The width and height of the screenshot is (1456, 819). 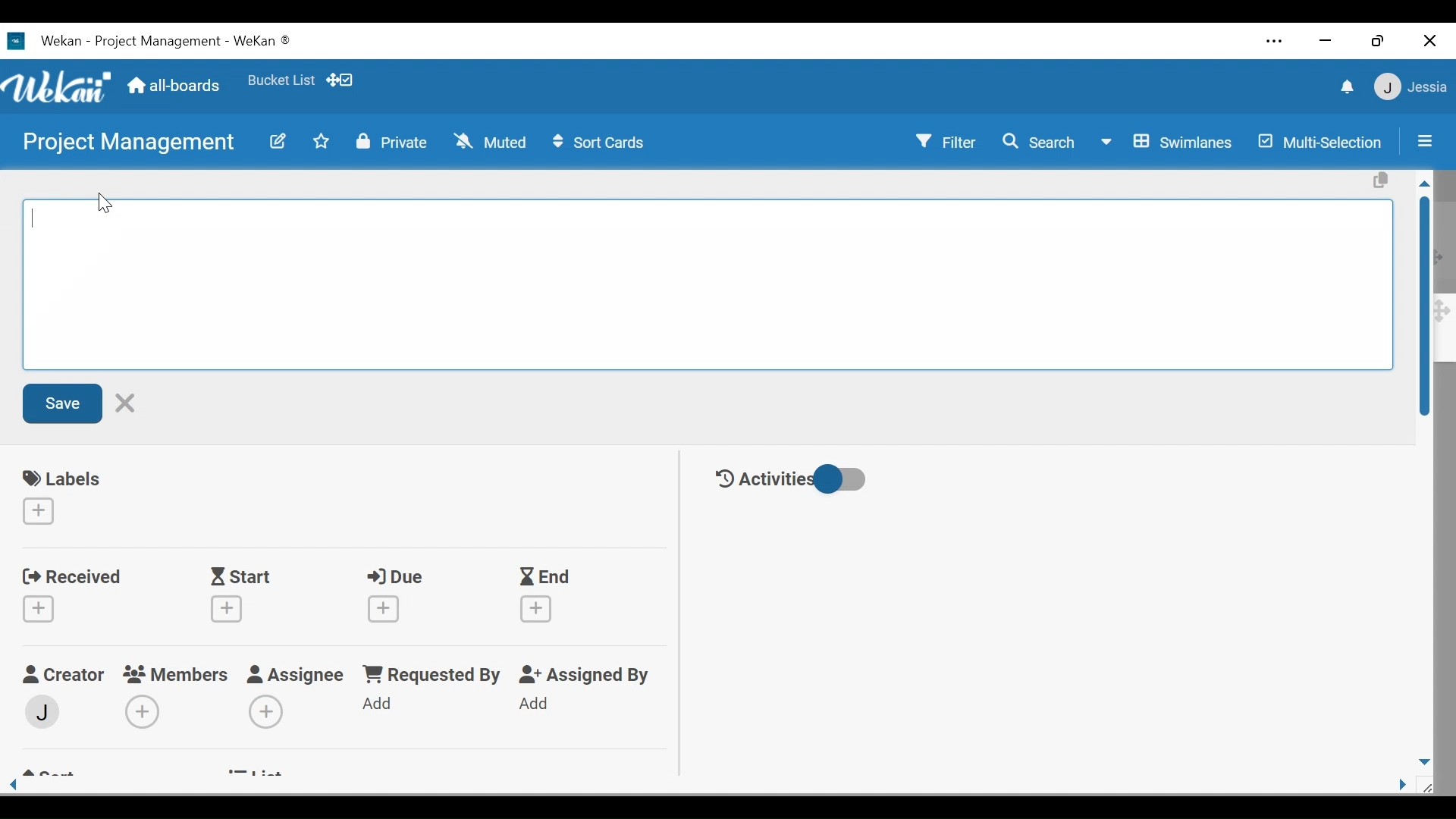 I want to click on Start Date, so click(x=243, y=576).